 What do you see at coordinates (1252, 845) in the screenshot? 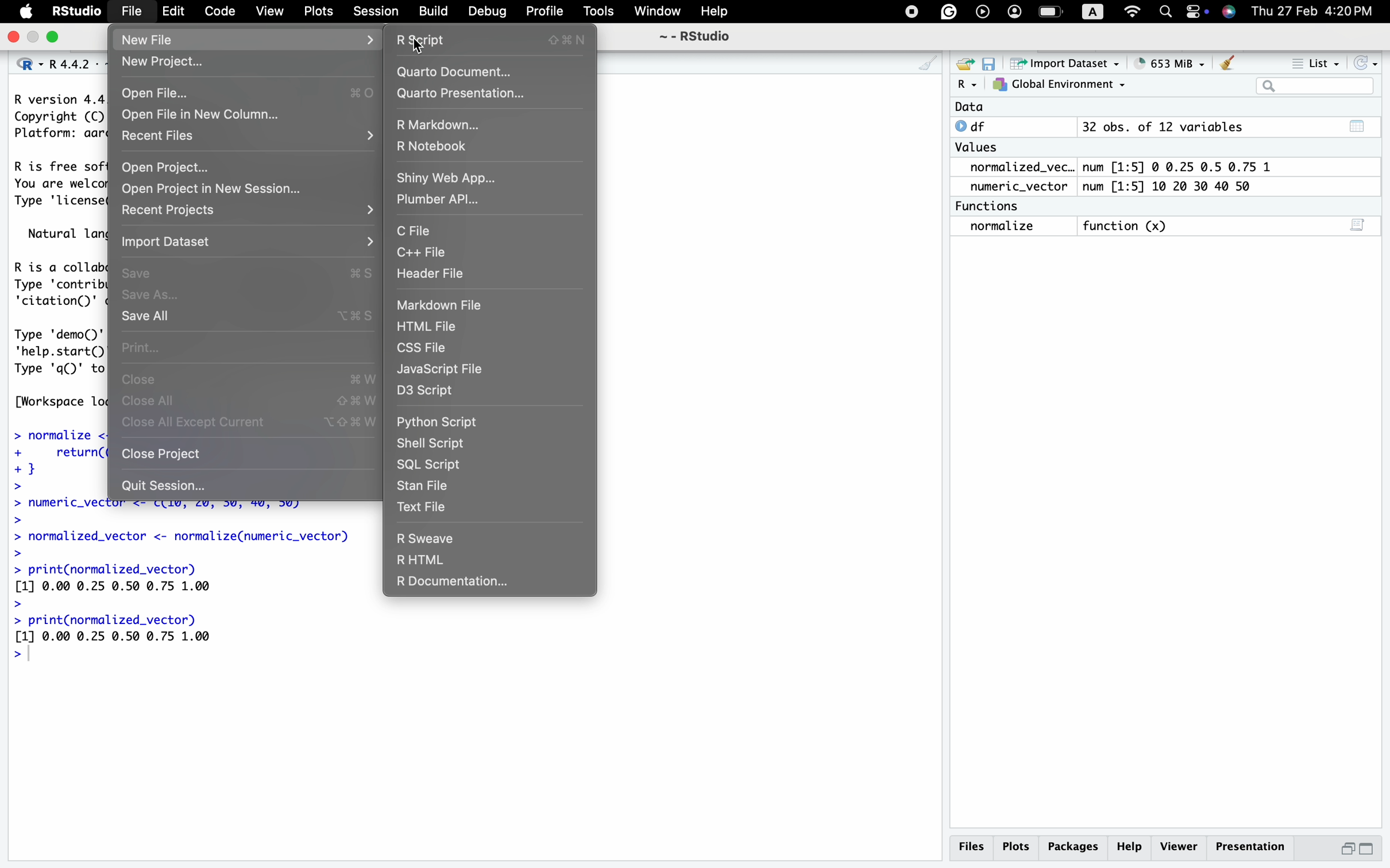
I see `Presentation` at bounding box center [1252, 845].